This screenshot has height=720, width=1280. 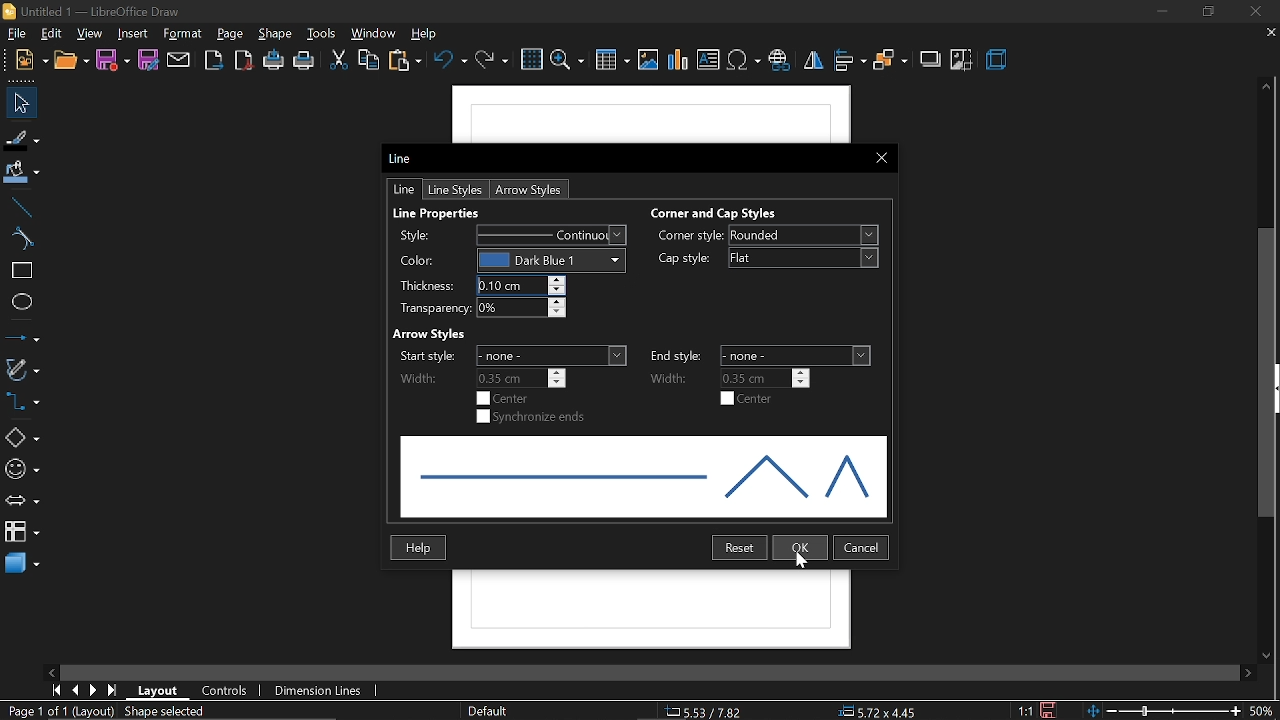 What do you see at coordinates (740, 548) in the screenshot?
I see `reset` at bounding box center [740, 548].